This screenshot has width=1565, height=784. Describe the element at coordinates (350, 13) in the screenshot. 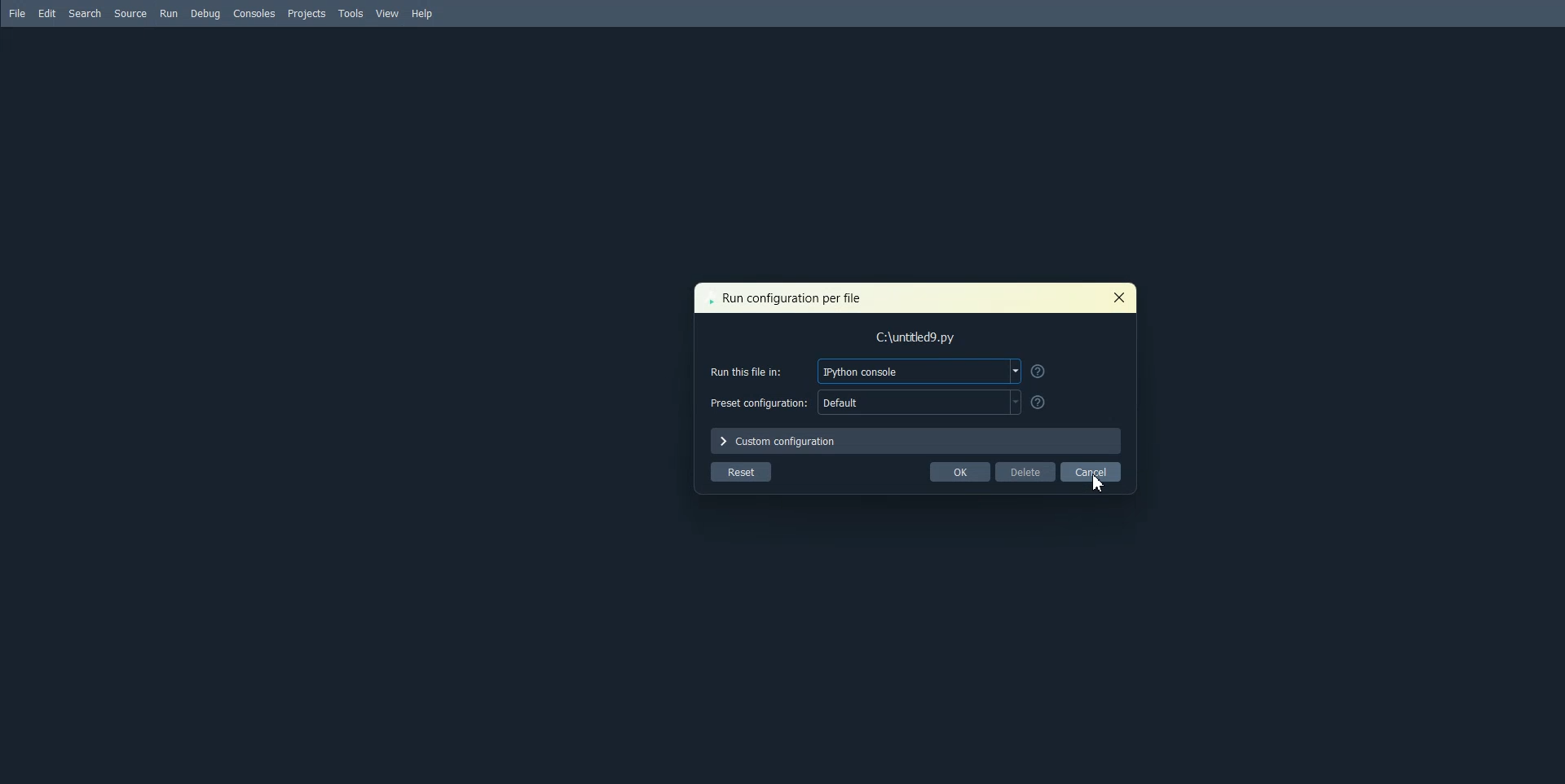

I see `Tools` at that location.